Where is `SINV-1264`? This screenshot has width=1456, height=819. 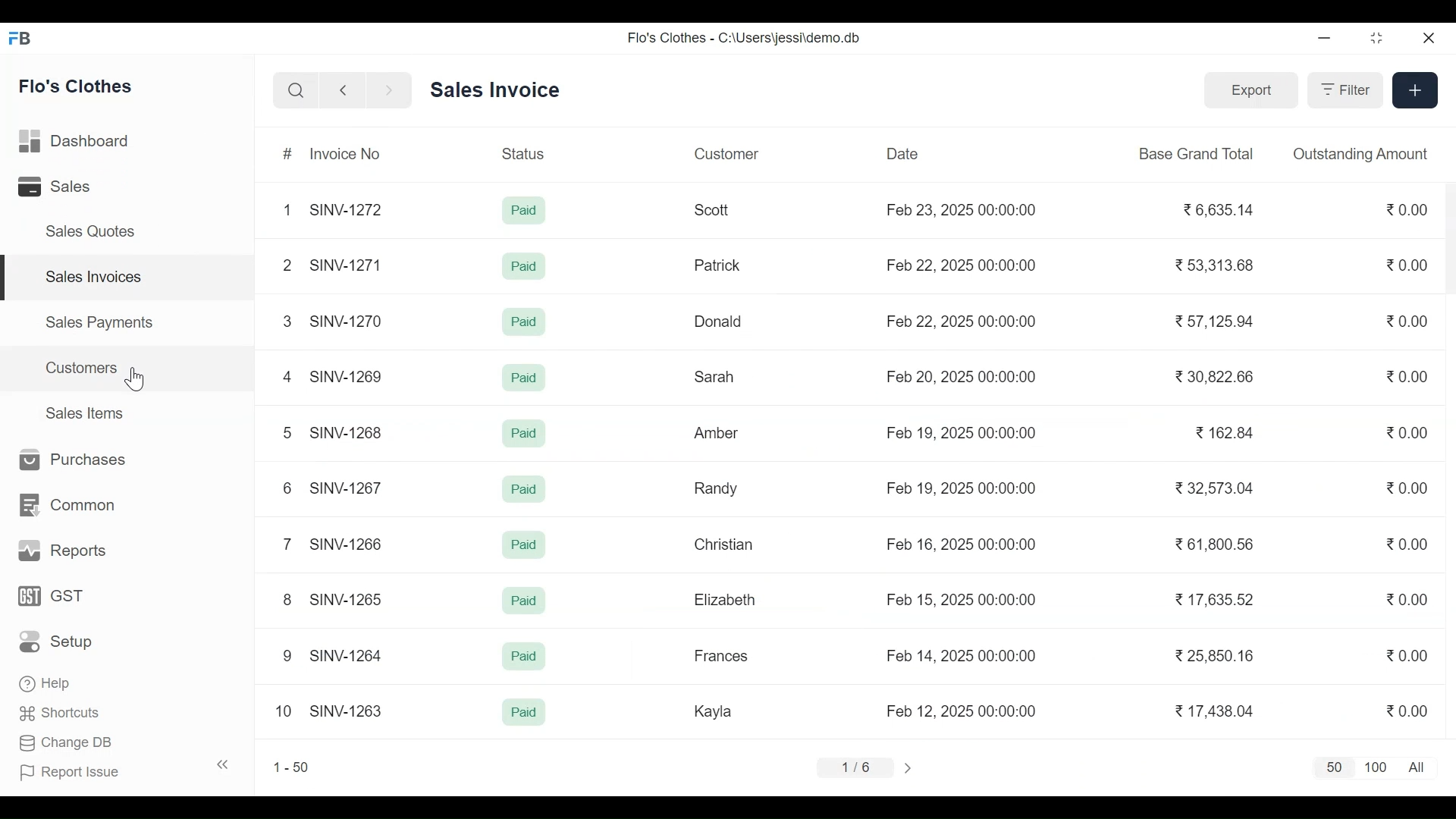
SINV-1264 is located at coordinates (347, 655).